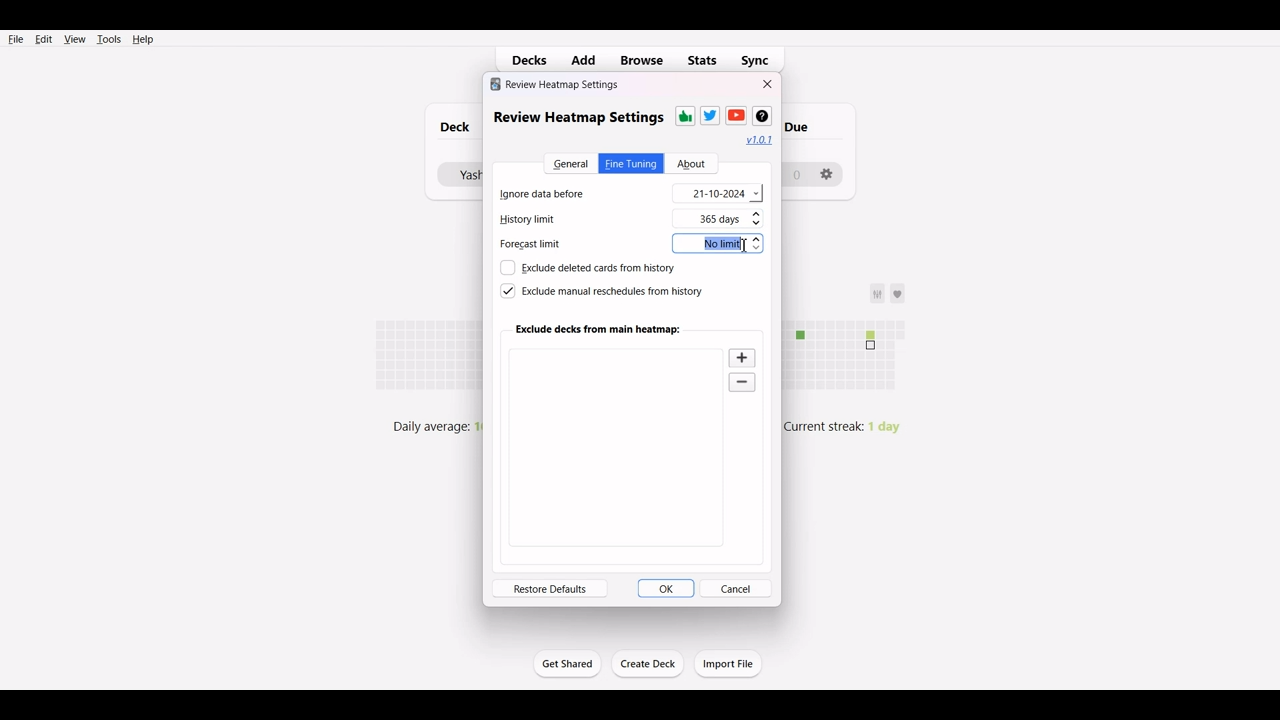 This screenshot has height=720, width=1280. I want to click on Ignore data before, so click(557, 192).